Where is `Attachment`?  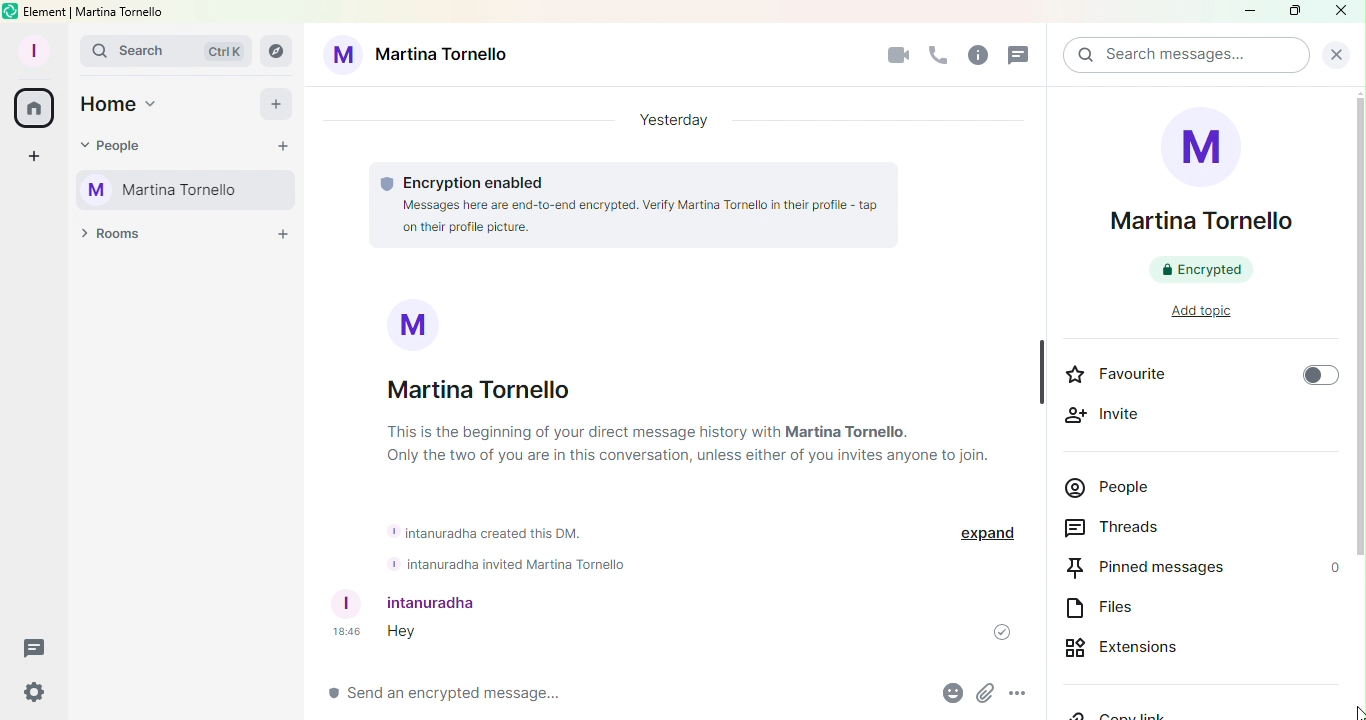
Attachment is located at coordinates (984, 693).